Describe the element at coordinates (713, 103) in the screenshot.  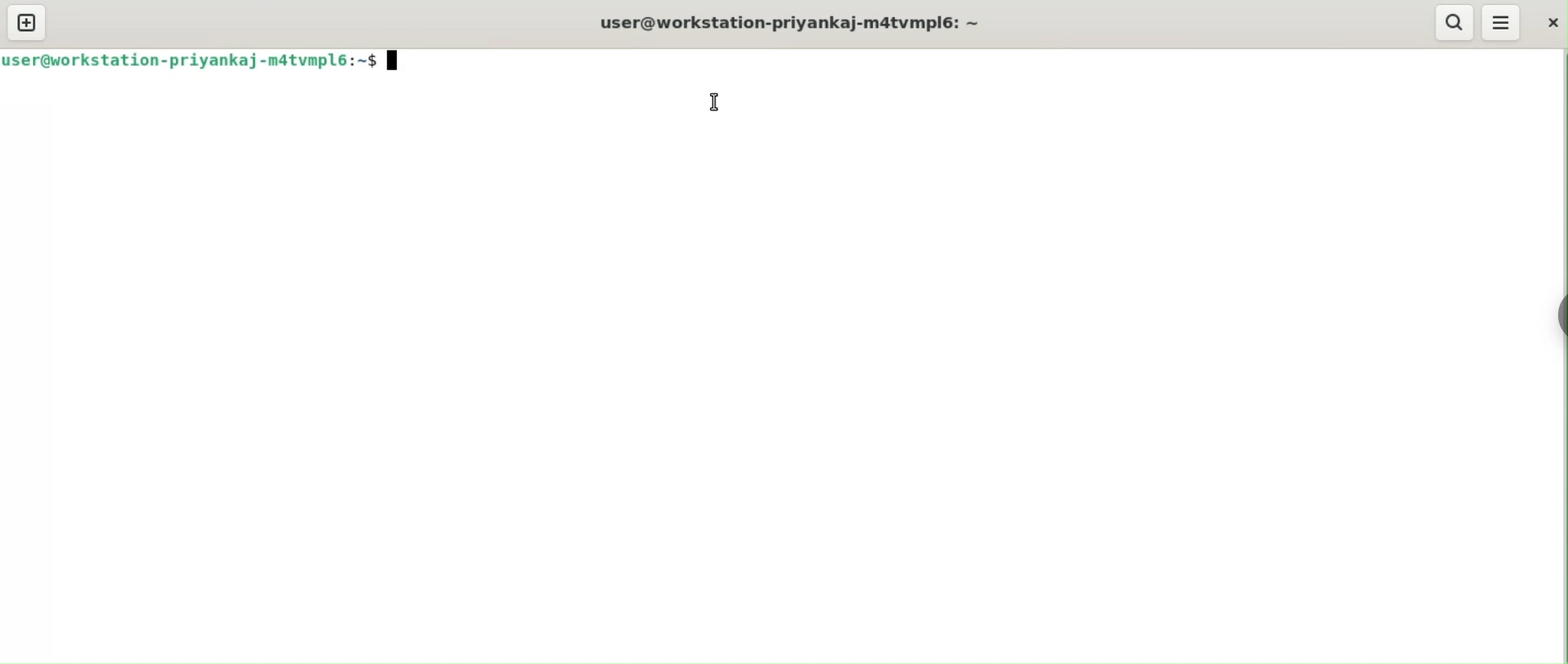
I see `cursor` at that location.